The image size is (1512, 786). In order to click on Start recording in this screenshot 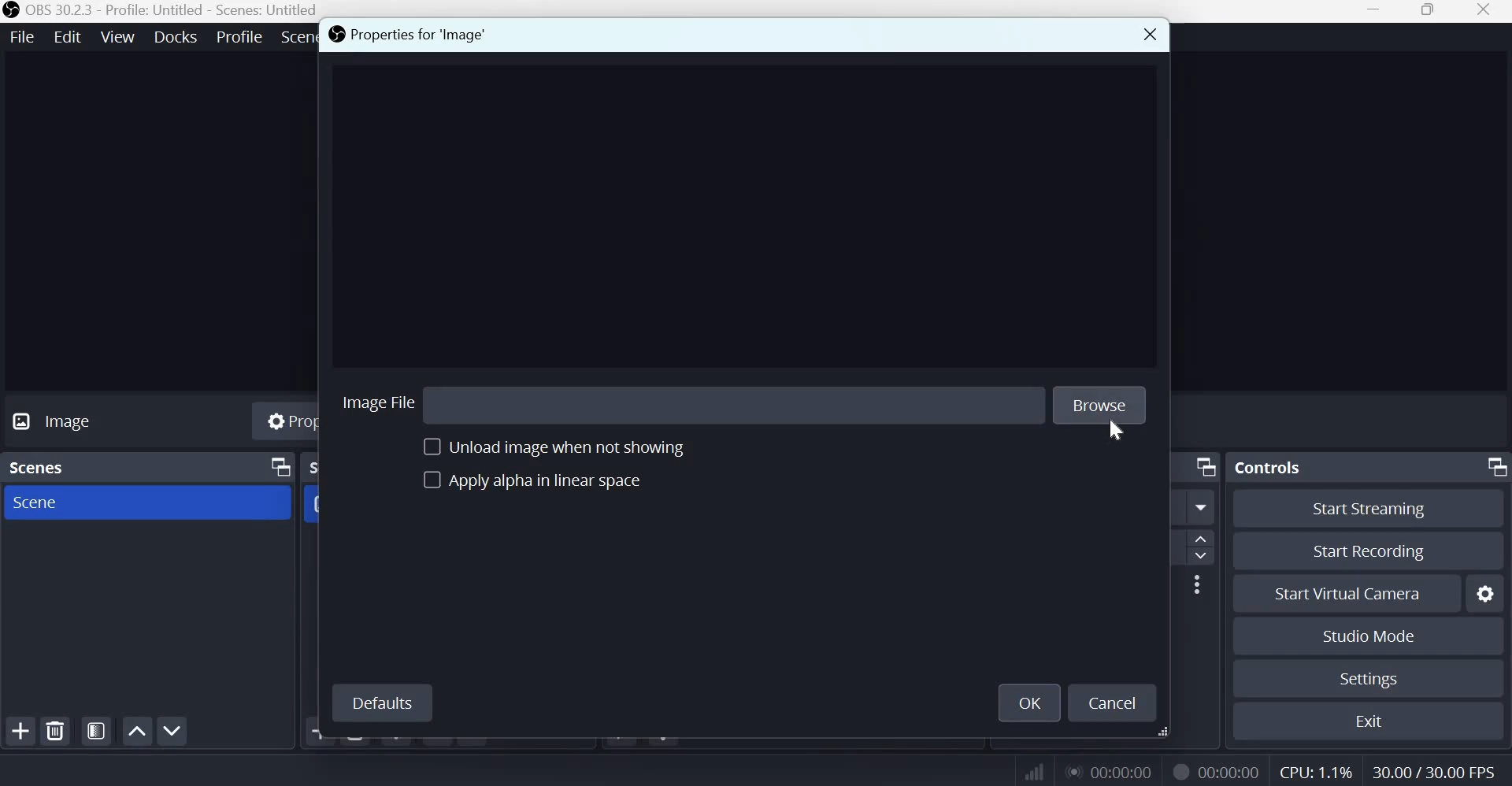, I will do `click(1369, 549)`.